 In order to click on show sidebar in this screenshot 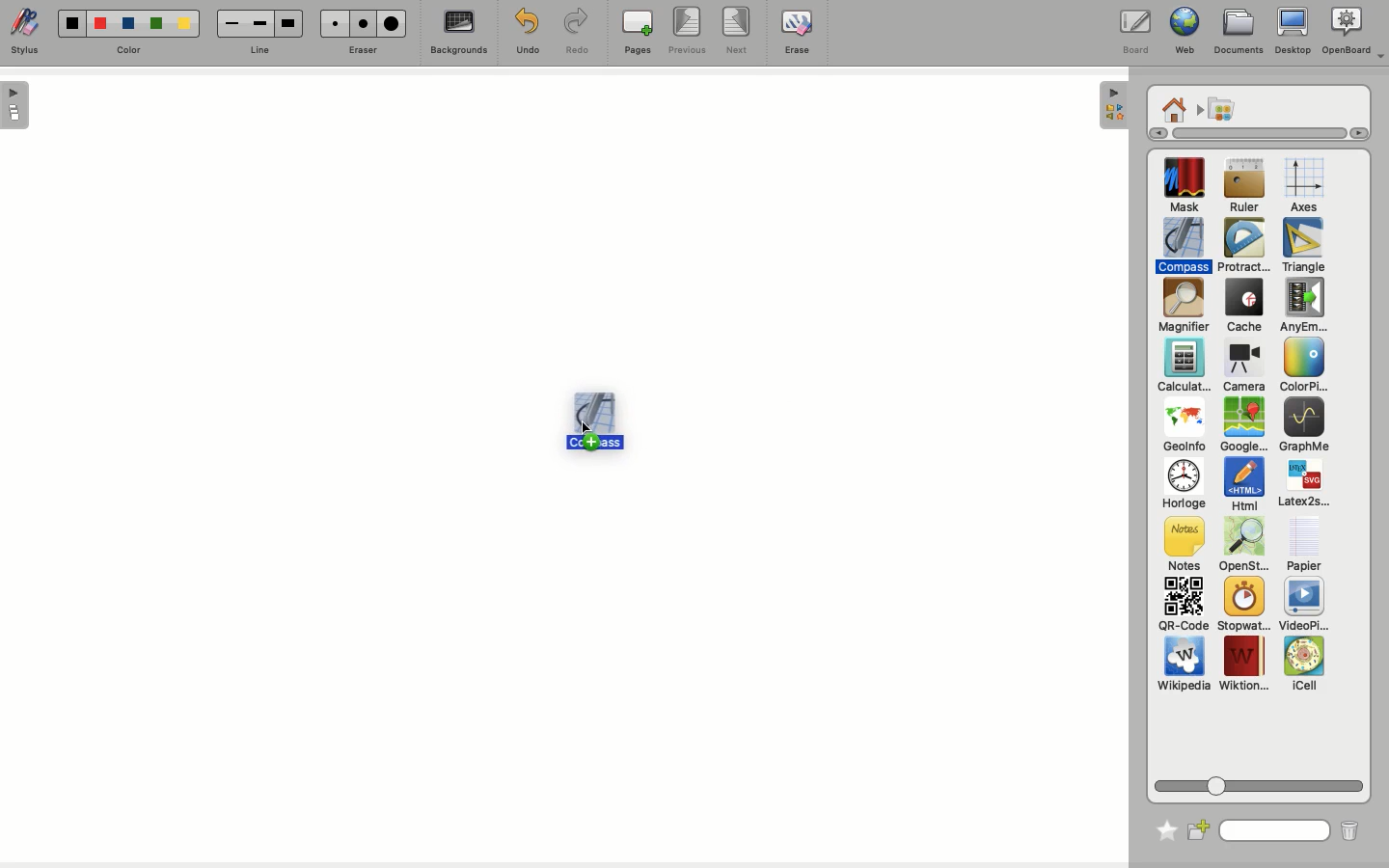, I will do `click(16, 105)`.